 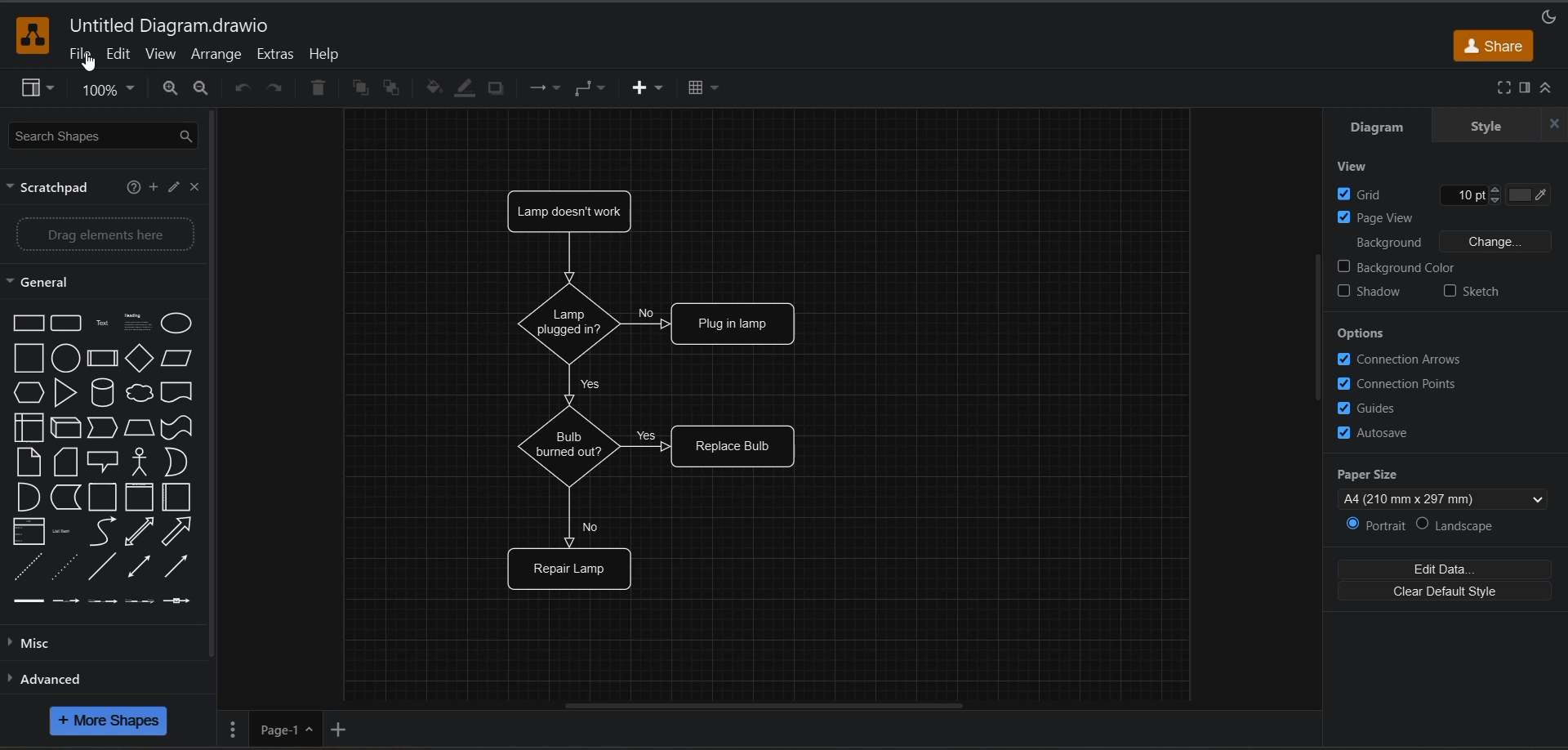 What do you see at coordinates (1357, 165) in the screenshot?
I see `view` at bounding box center [1357, 165].